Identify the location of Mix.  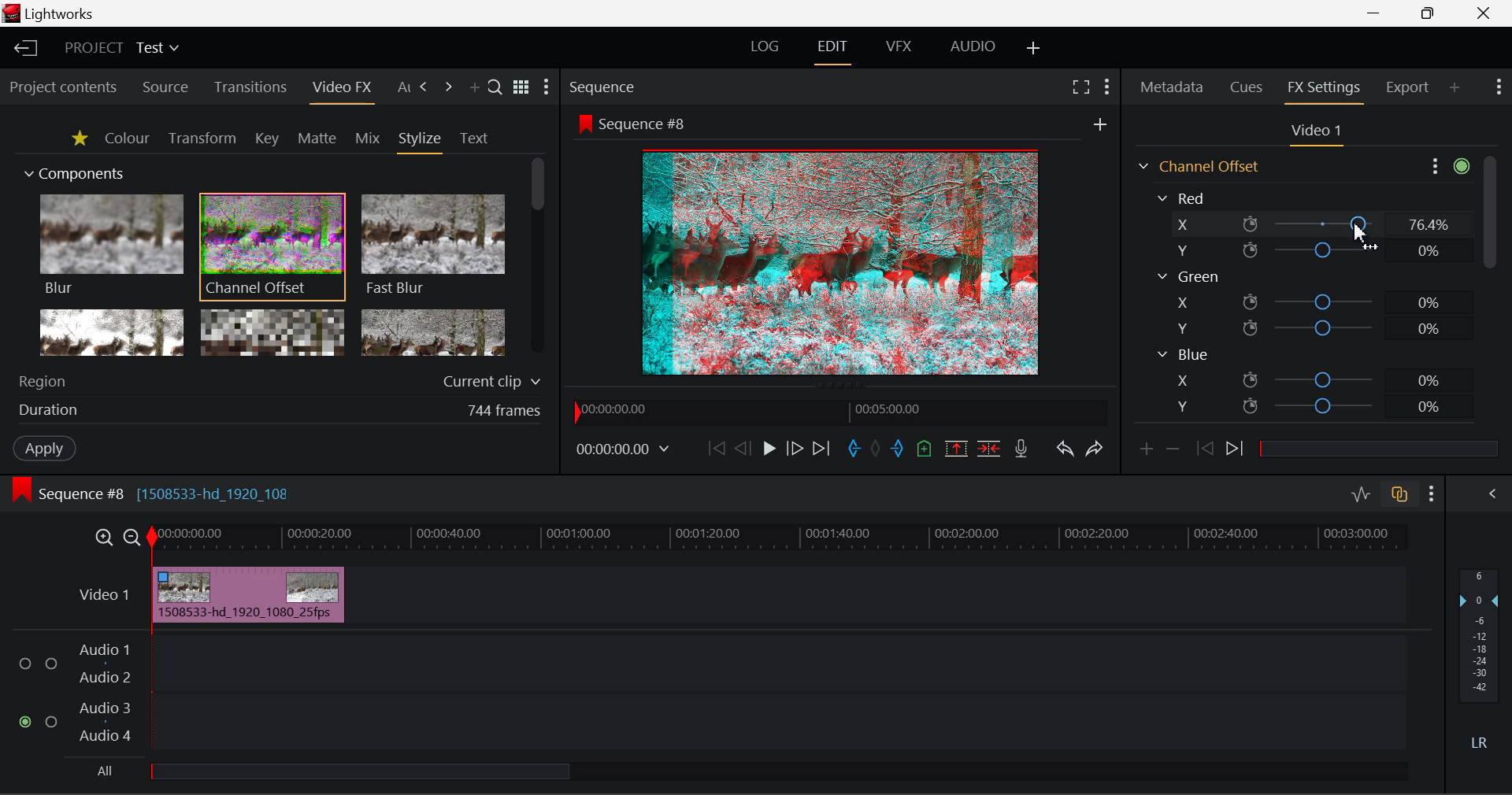
(369, 139).